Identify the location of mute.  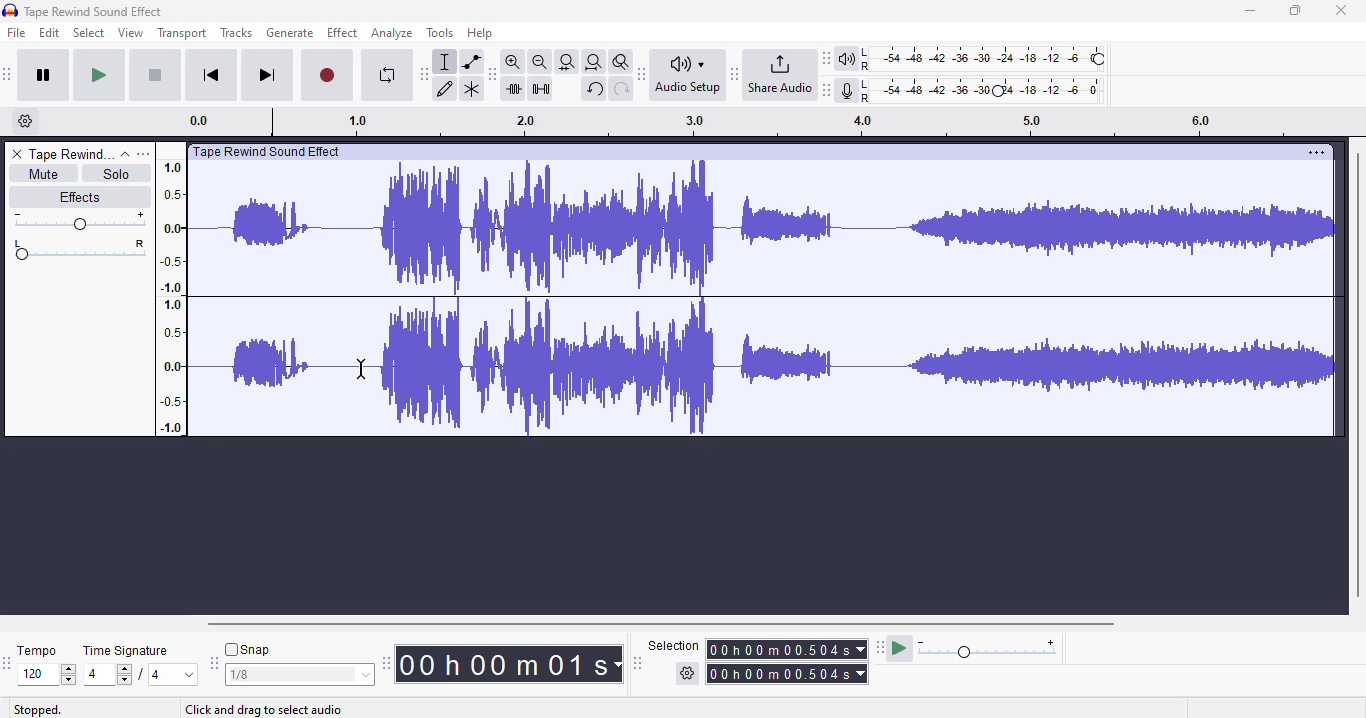
(44, 174).